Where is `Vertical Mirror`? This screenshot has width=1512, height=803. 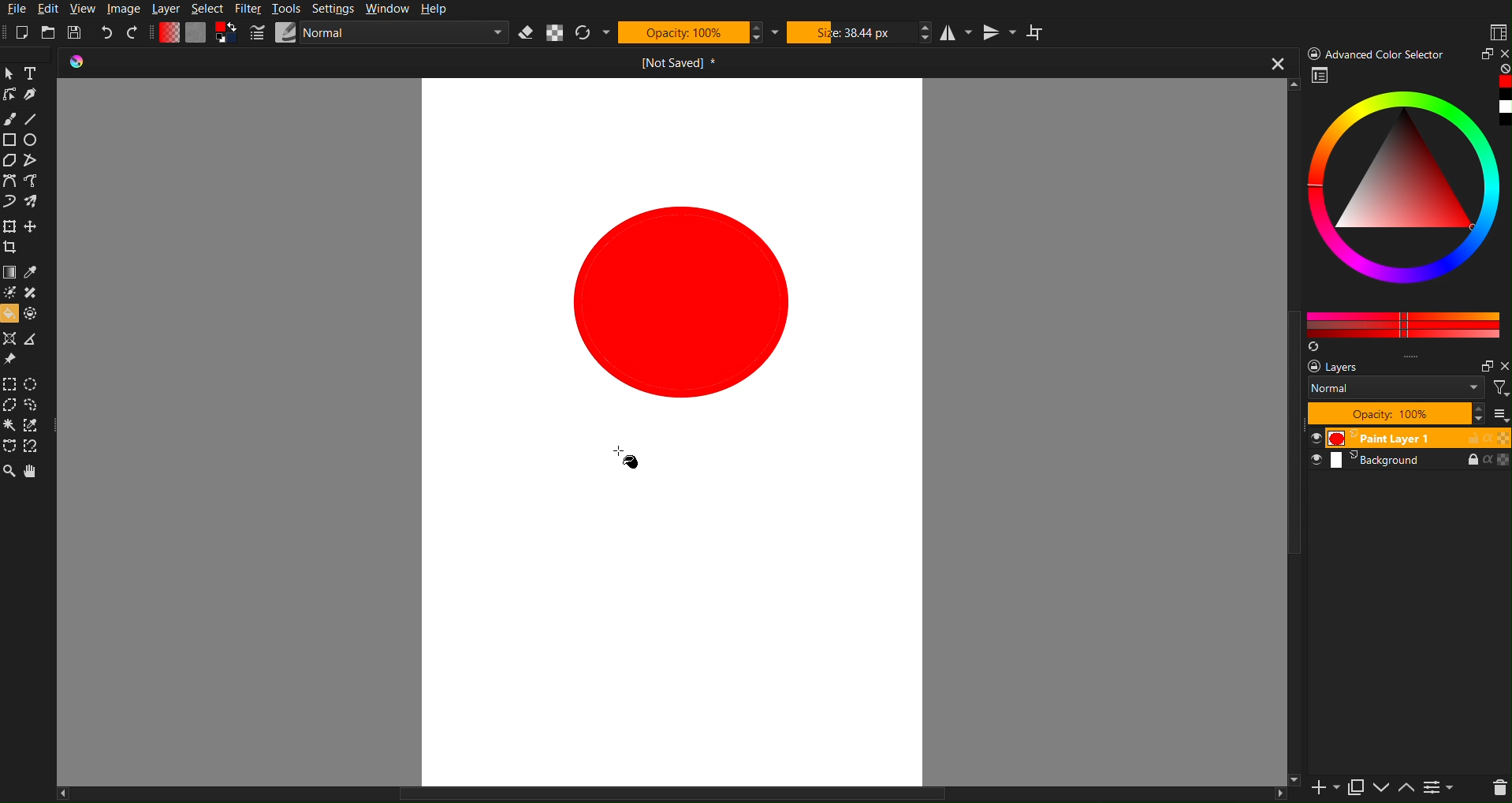 Vertical Mirror is located at coordinates (1001, 32).